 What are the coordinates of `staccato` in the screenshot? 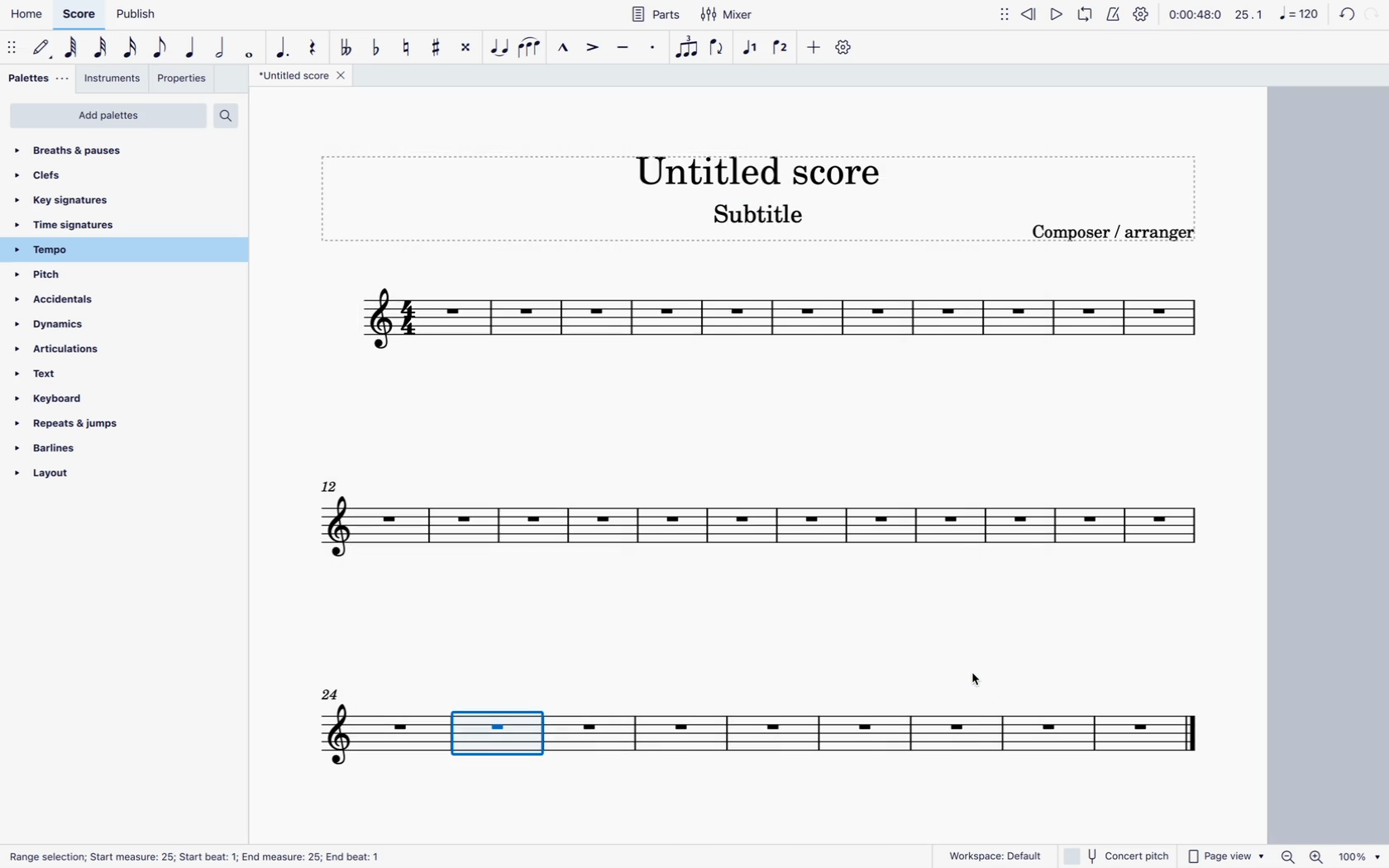 It's located at (656, 50).